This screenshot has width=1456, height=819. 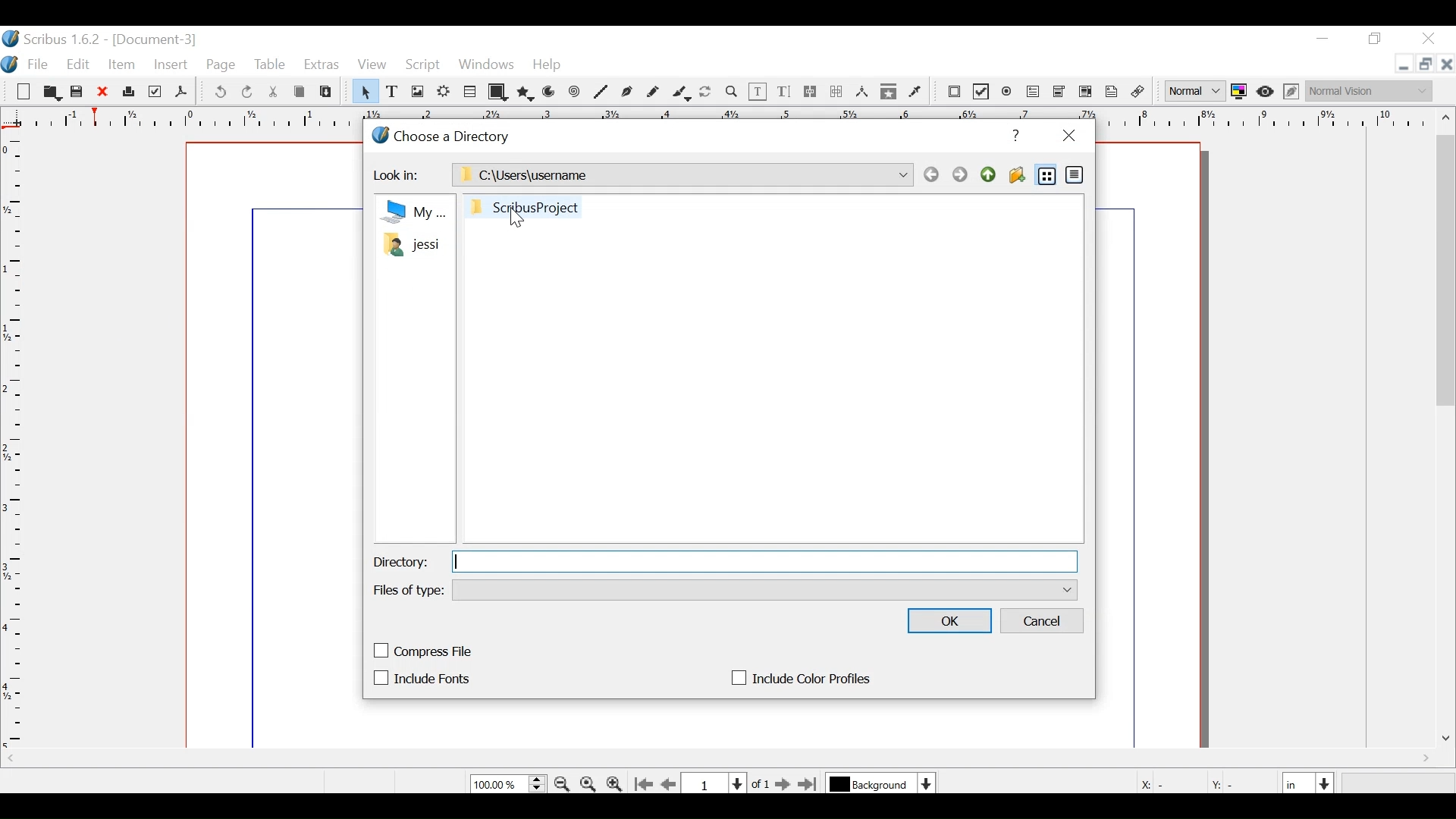 I want to click on Rotate item, so click(x=708, y=93).